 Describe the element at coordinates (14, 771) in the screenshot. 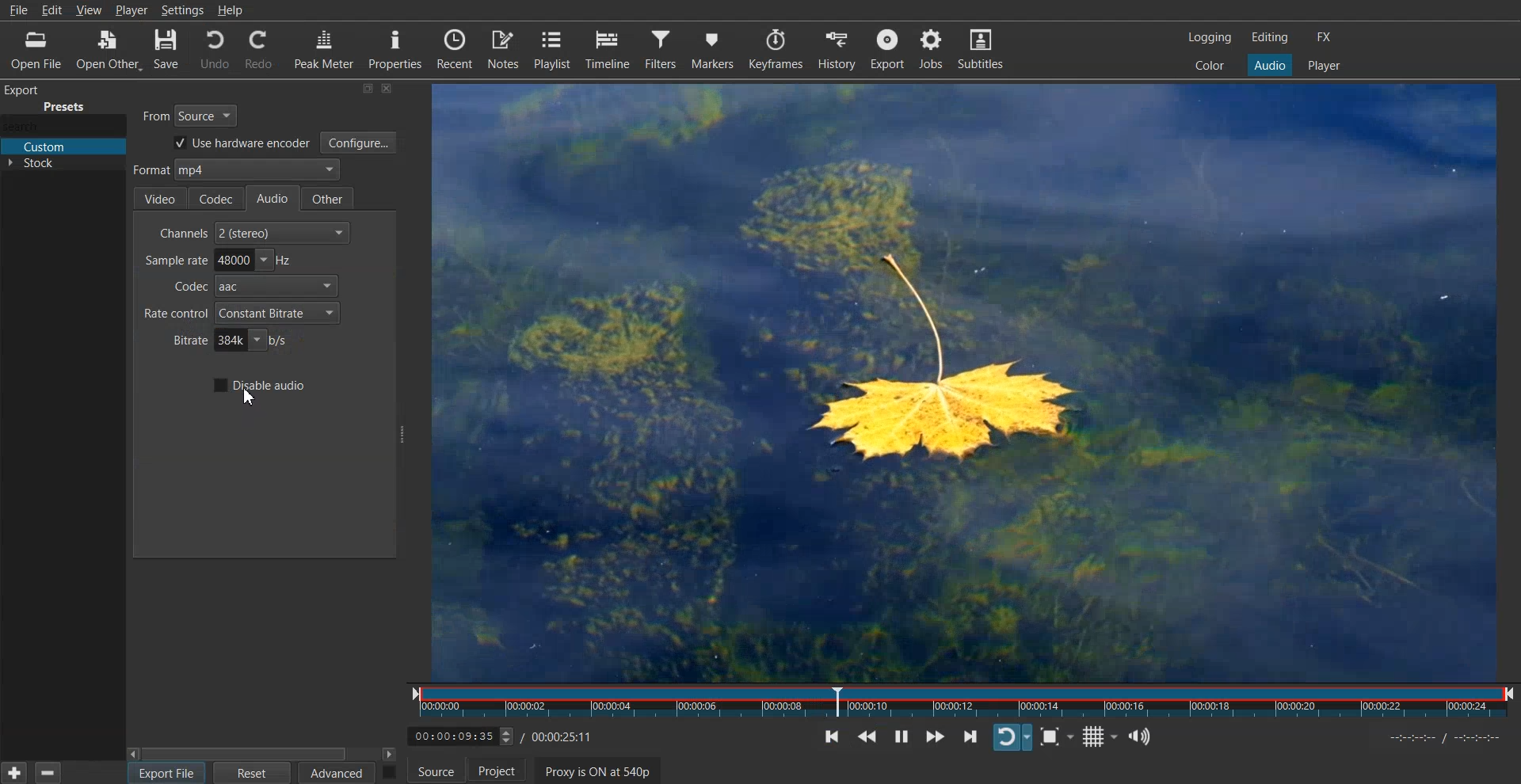

I see `Add Current settings` at that location.